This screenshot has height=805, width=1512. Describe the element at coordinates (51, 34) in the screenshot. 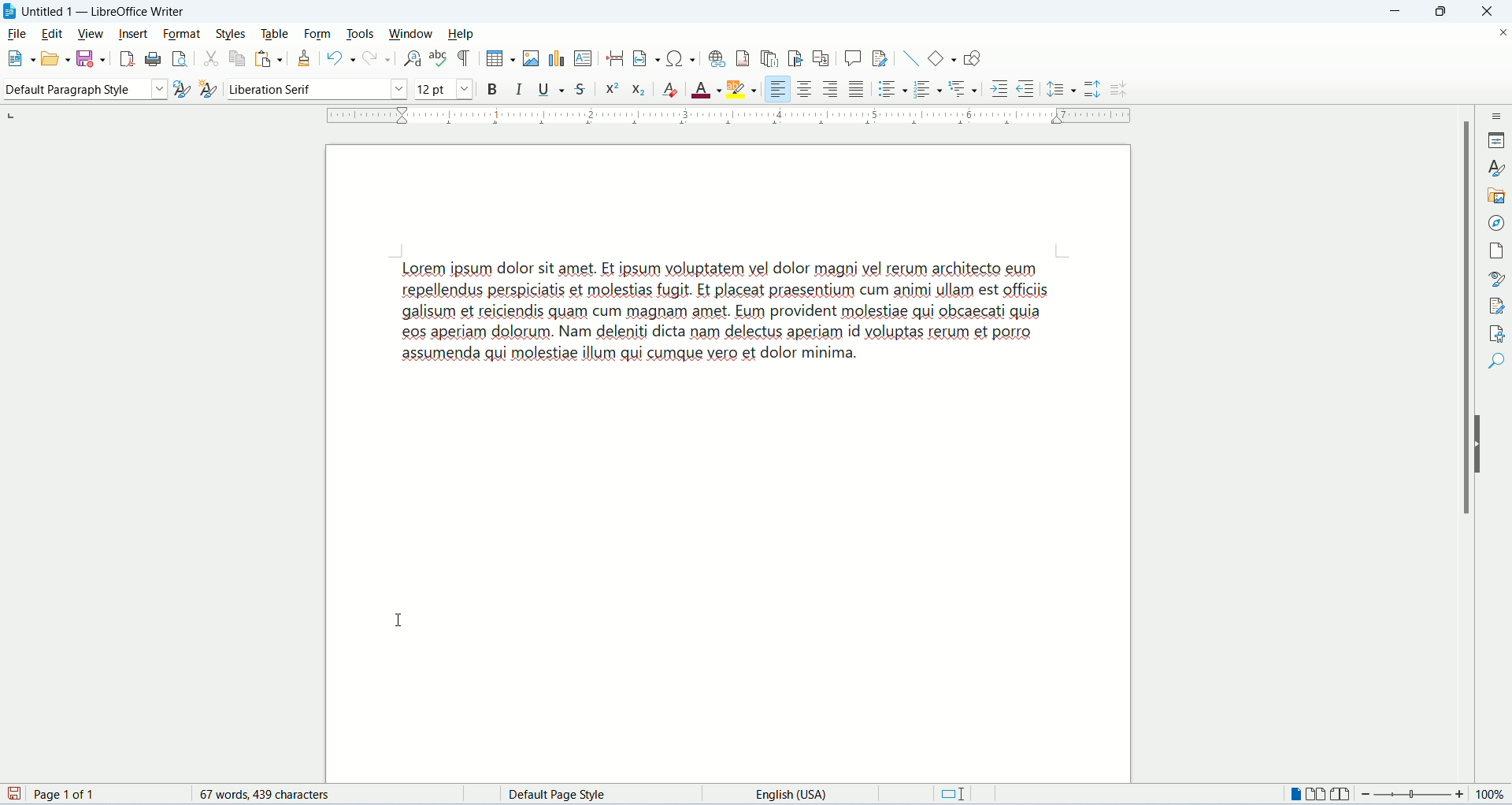

I see `edit` at that location.